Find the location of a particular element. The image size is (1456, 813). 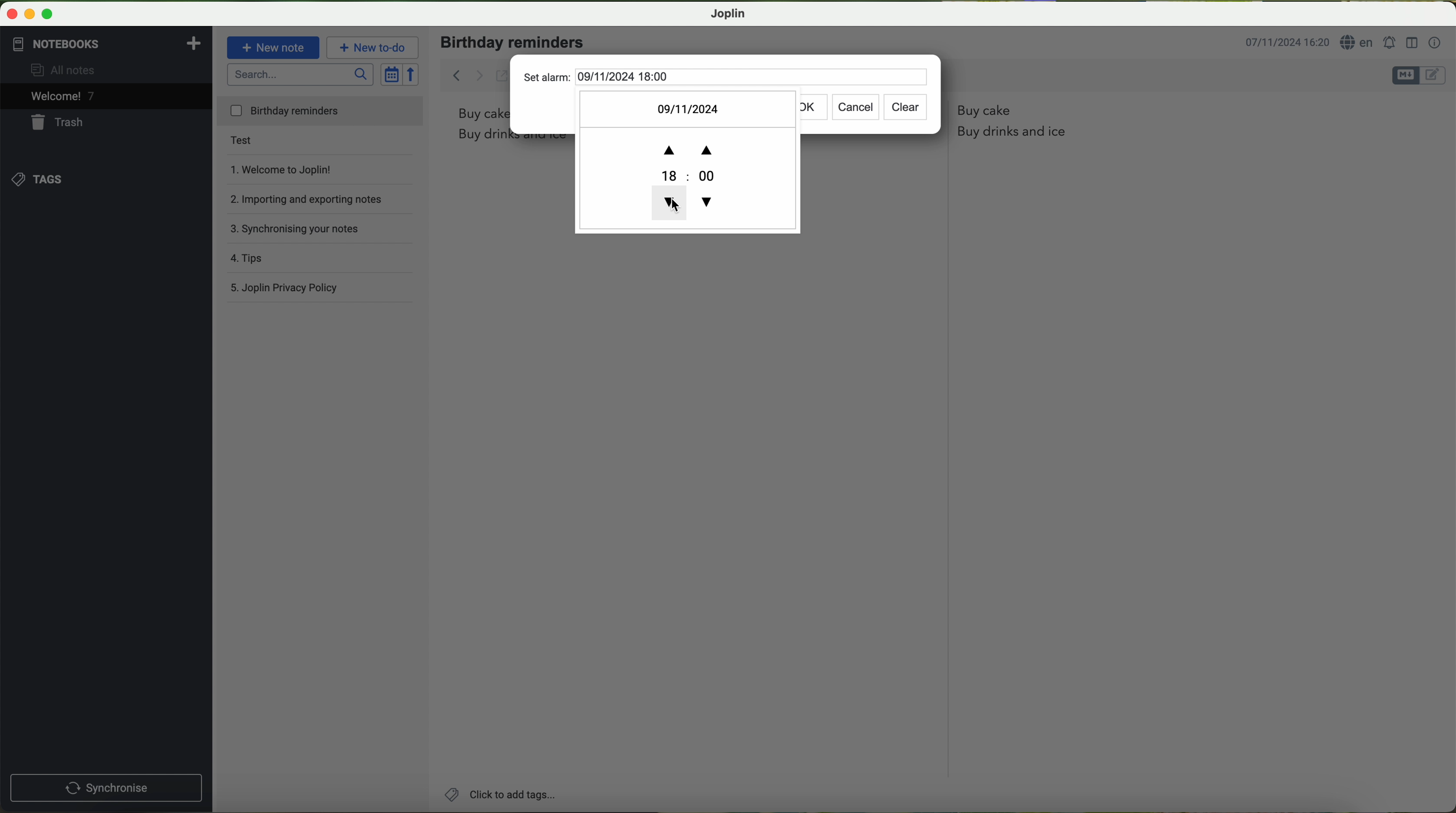

decrease is located at coordinates (693, 200).